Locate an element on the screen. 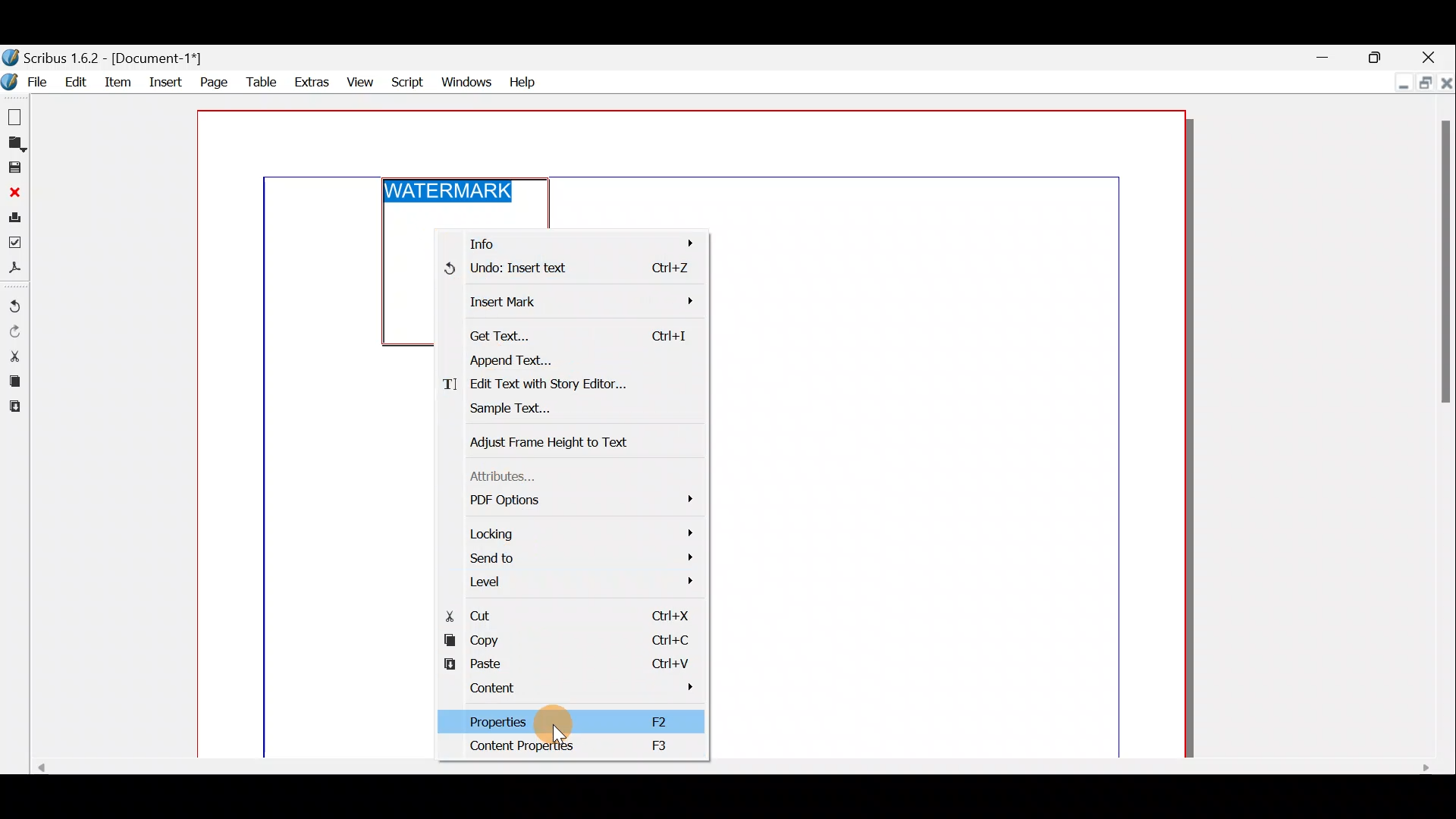 The height and width of the screenshot is (819, 1456). Paste is located at coordinates (13, 409).